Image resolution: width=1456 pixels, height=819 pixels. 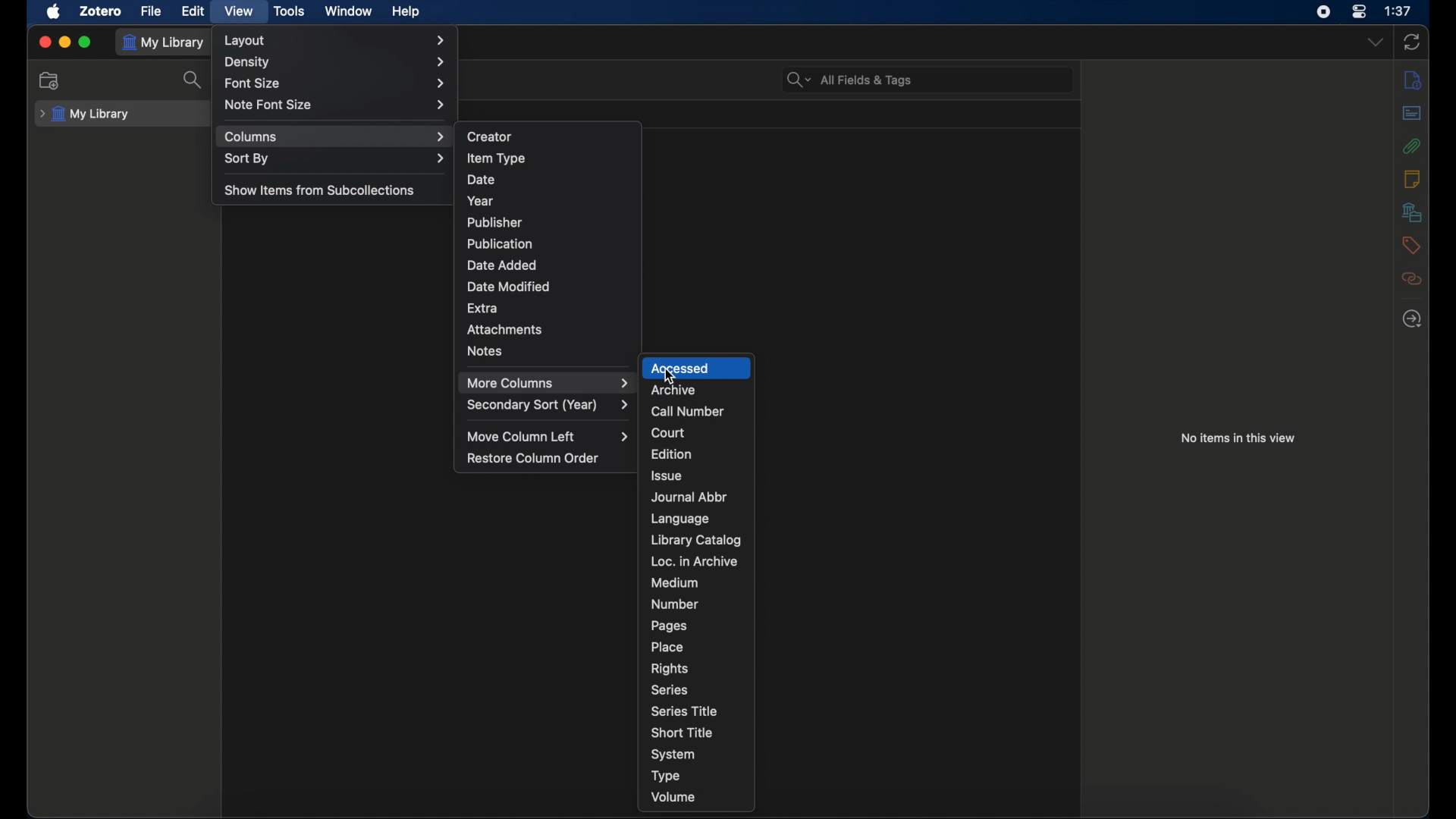 What do you see at coordinates (673, 453) in the screenshot?
I see `edition` at bounding box center [673, 453].